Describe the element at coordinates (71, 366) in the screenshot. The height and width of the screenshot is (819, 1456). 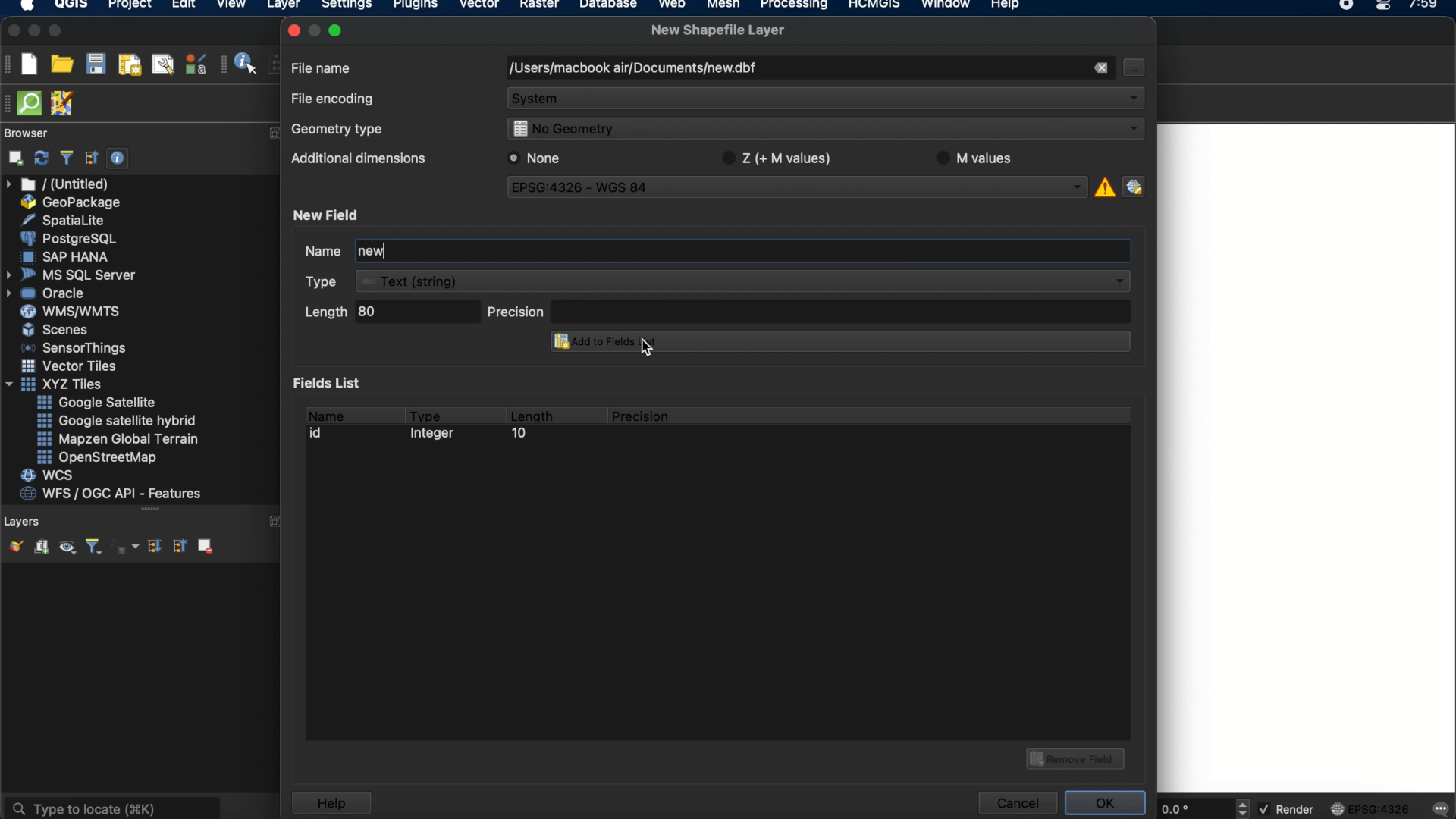
I see `vector files` at that location.